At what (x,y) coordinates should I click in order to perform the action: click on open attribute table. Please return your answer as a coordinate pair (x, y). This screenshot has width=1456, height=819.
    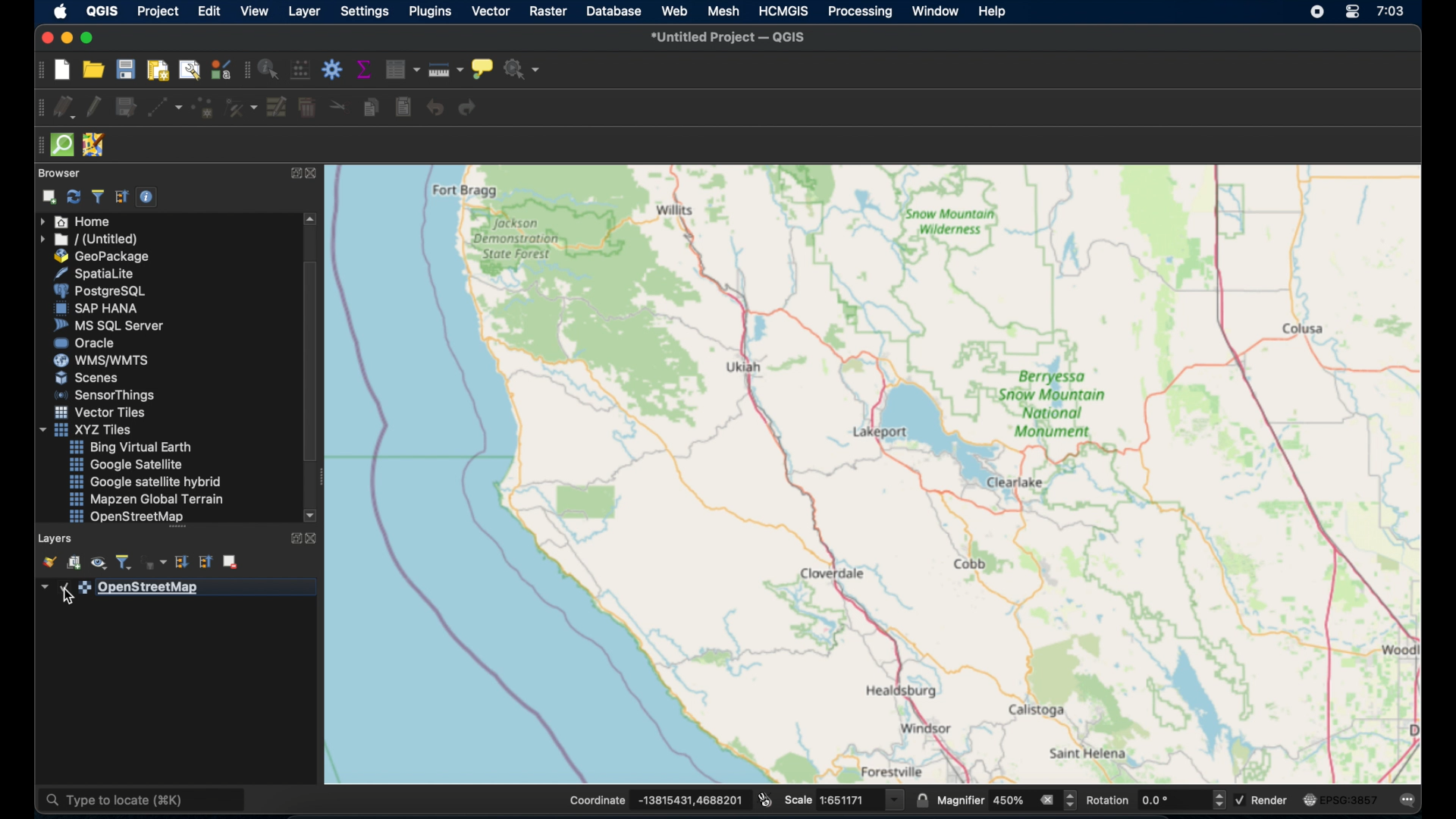
    Looking at the image, I should click on (403, 71).